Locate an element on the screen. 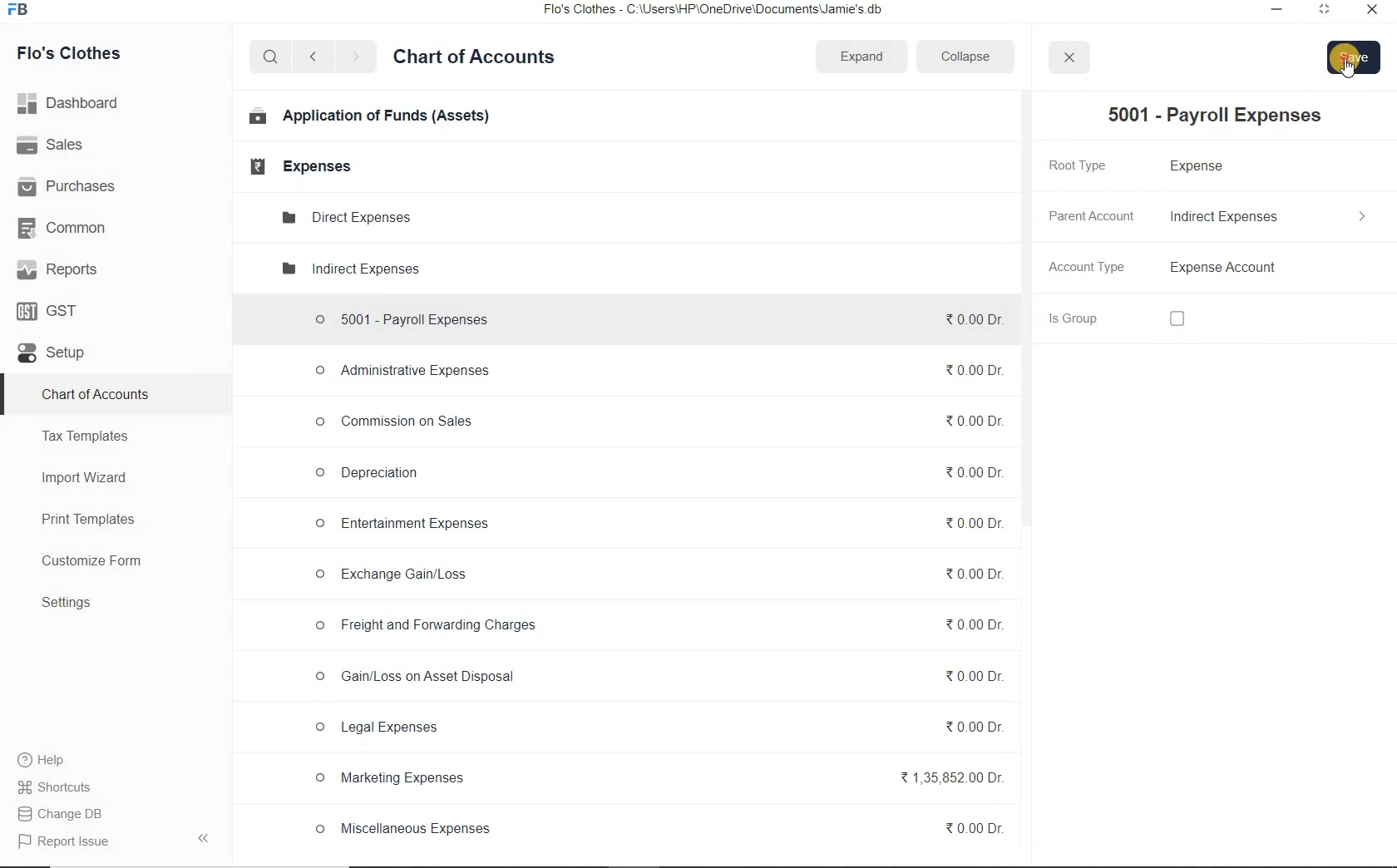 Image resolution: width=1397 pixels, height=868 pixels. Shortcuts is located at coordinates (69, 787).